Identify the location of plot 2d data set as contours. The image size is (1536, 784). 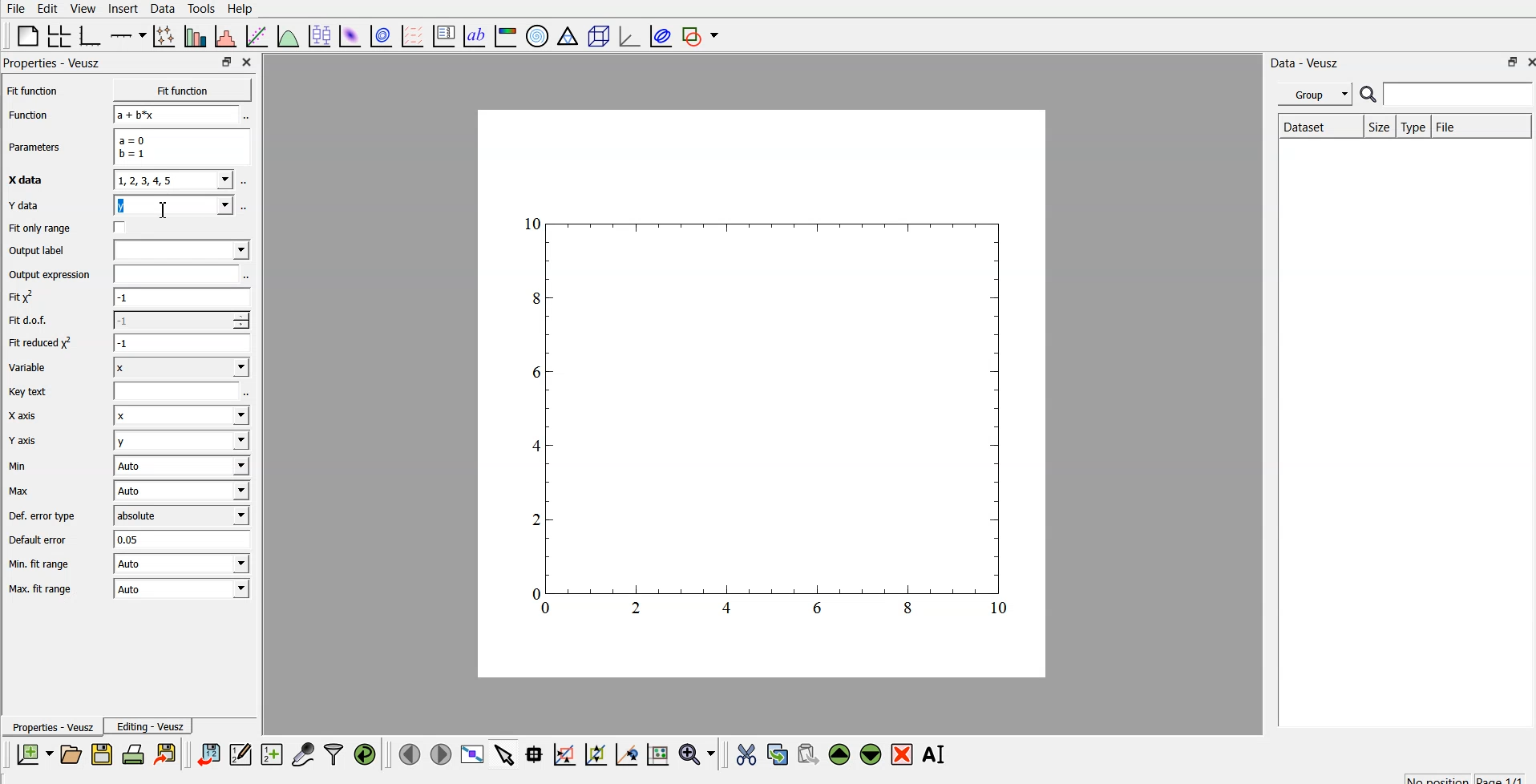
(380, 37).